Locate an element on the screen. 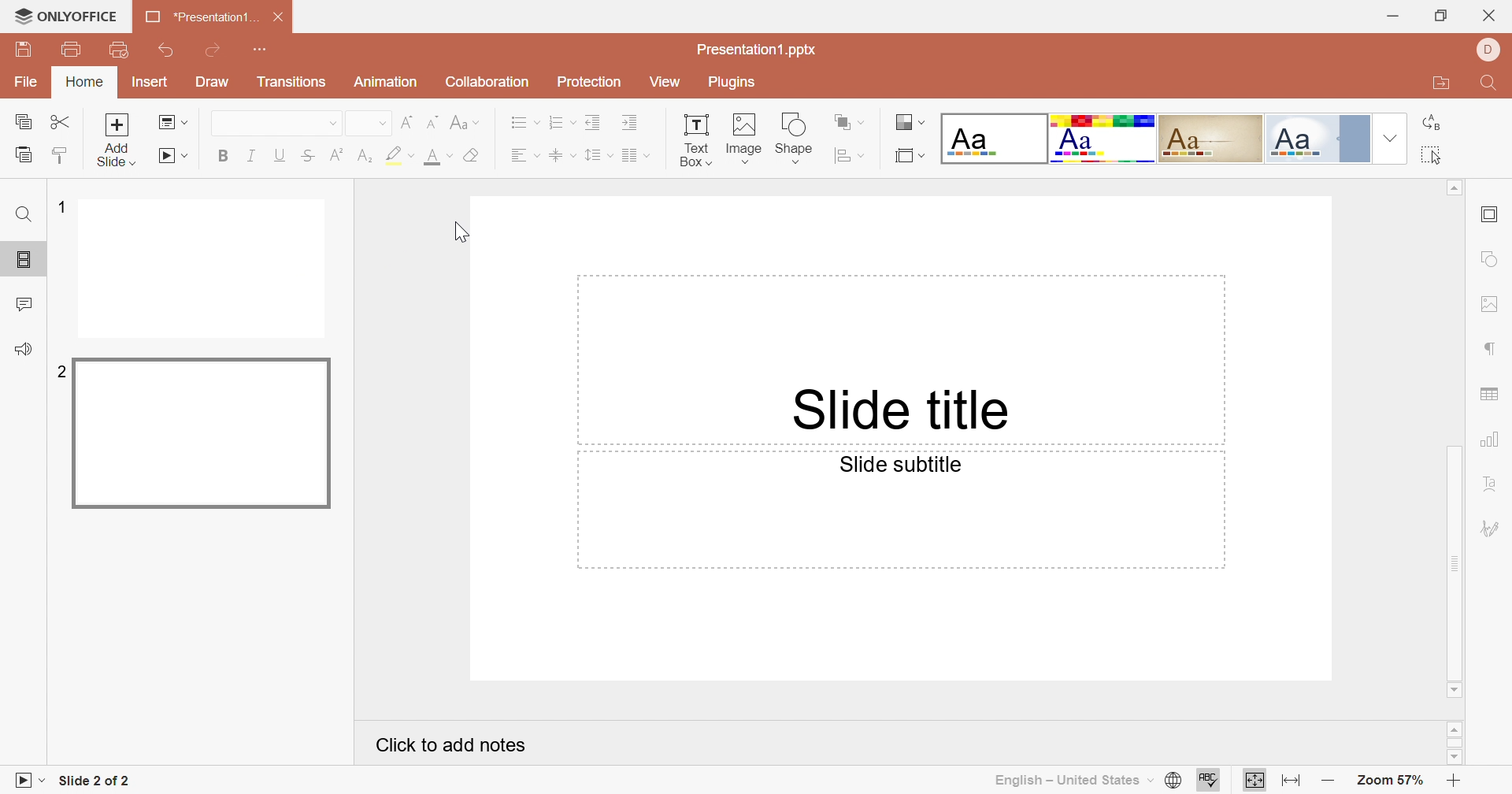 The height and width of the screenshot is (794, 1512). Subscript is located at coordinates (365, 156).